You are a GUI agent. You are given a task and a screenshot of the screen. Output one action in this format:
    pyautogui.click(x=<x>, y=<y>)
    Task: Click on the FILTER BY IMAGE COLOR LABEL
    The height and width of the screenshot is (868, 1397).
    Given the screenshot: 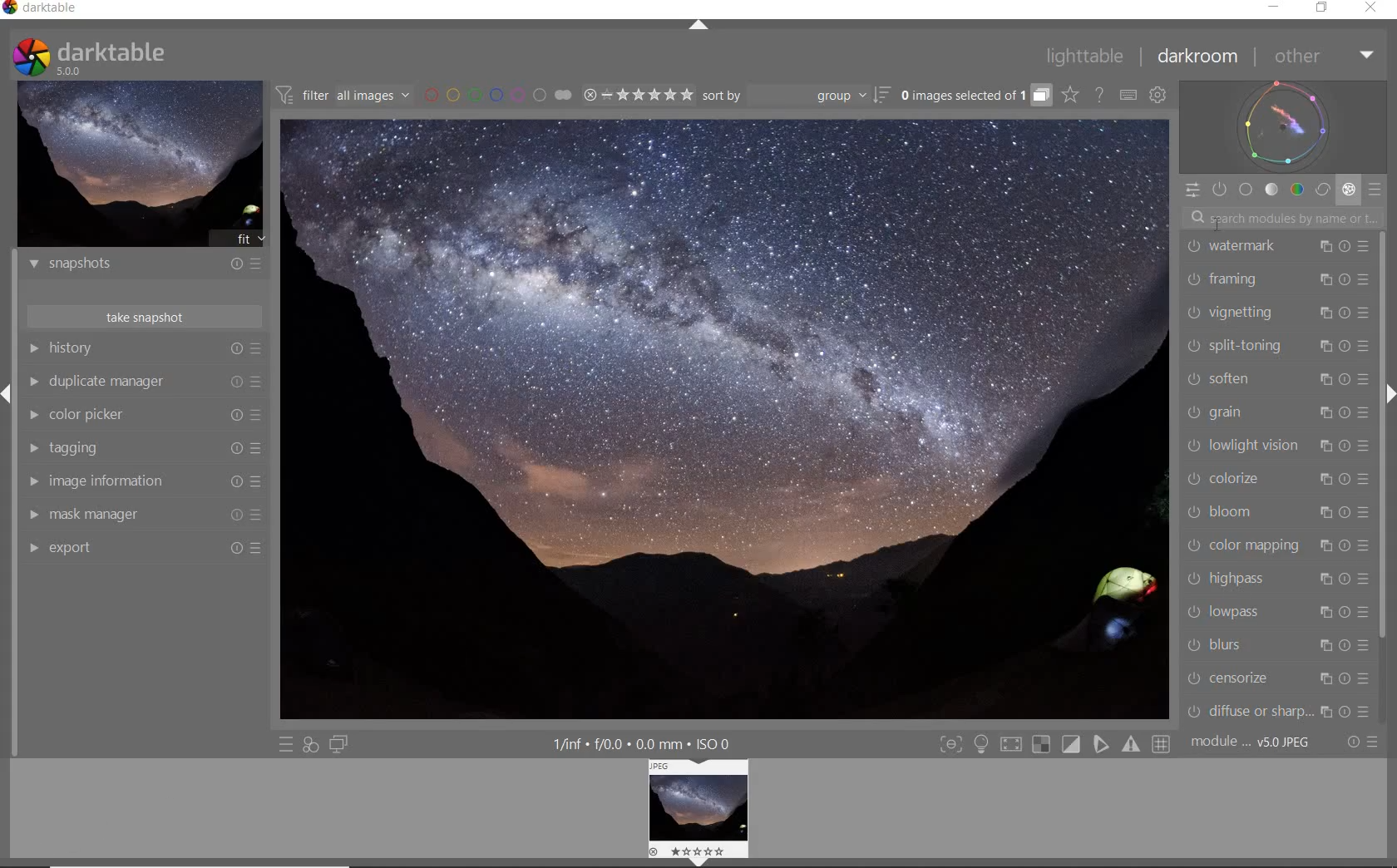 What is the action you would take?
    pyautogui.click(x=497, y=95)
    